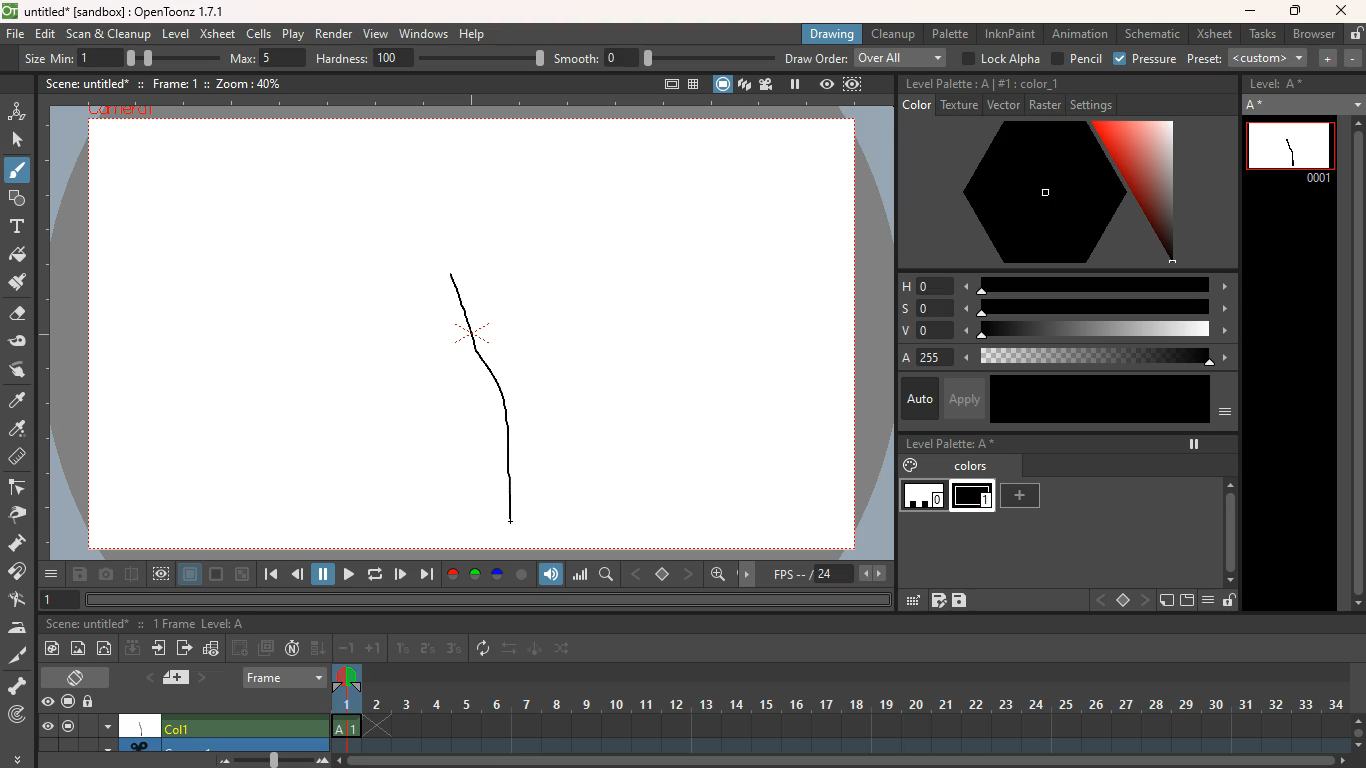  What do you see at coordinates (15, 654) in the screenshot?
I see `cut` at bounding box center [15, 654].